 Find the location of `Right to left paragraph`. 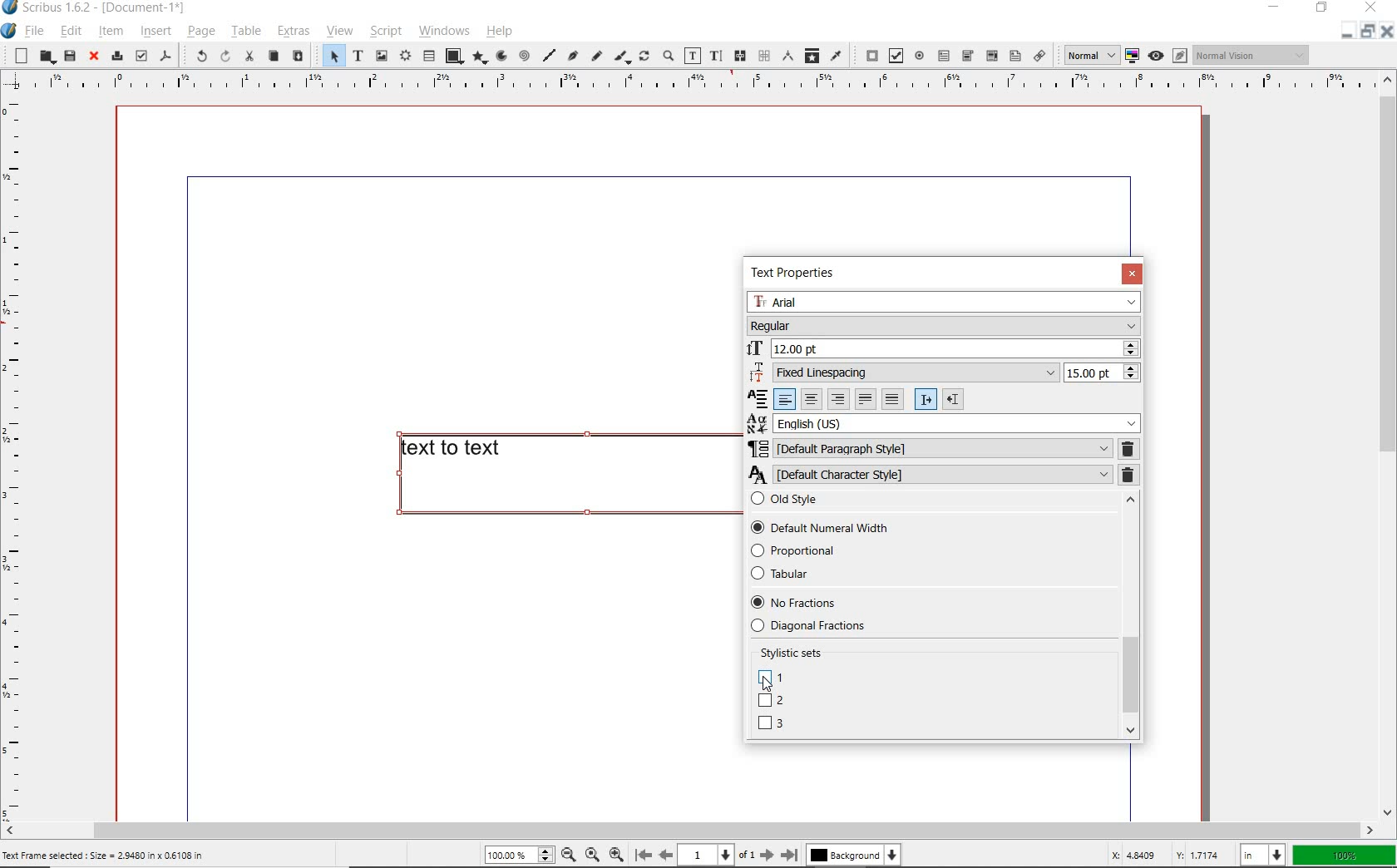

Right to left paragraph is located at coordinates (954, 398).